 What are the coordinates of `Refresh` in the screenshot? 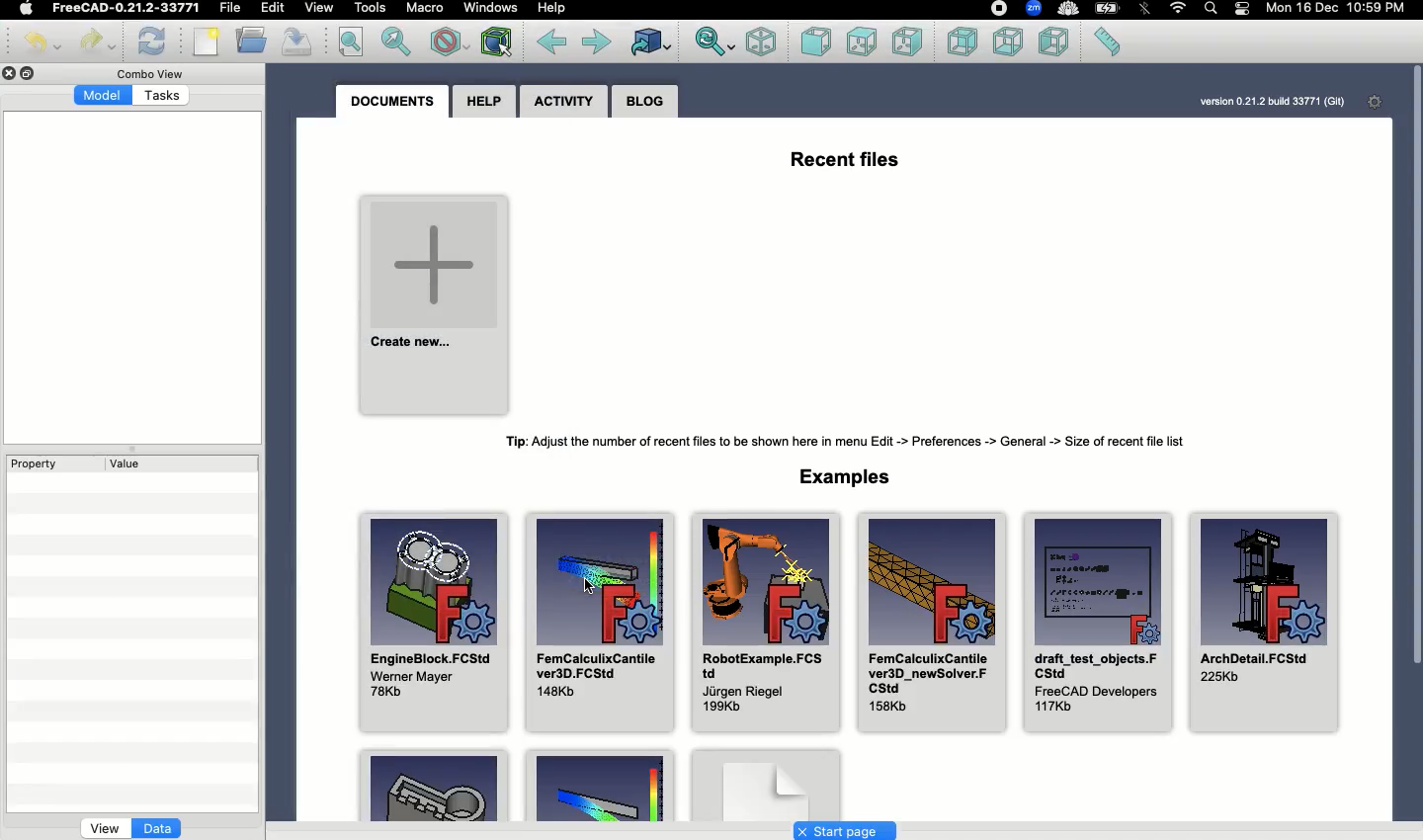 It's located at (150, 42).